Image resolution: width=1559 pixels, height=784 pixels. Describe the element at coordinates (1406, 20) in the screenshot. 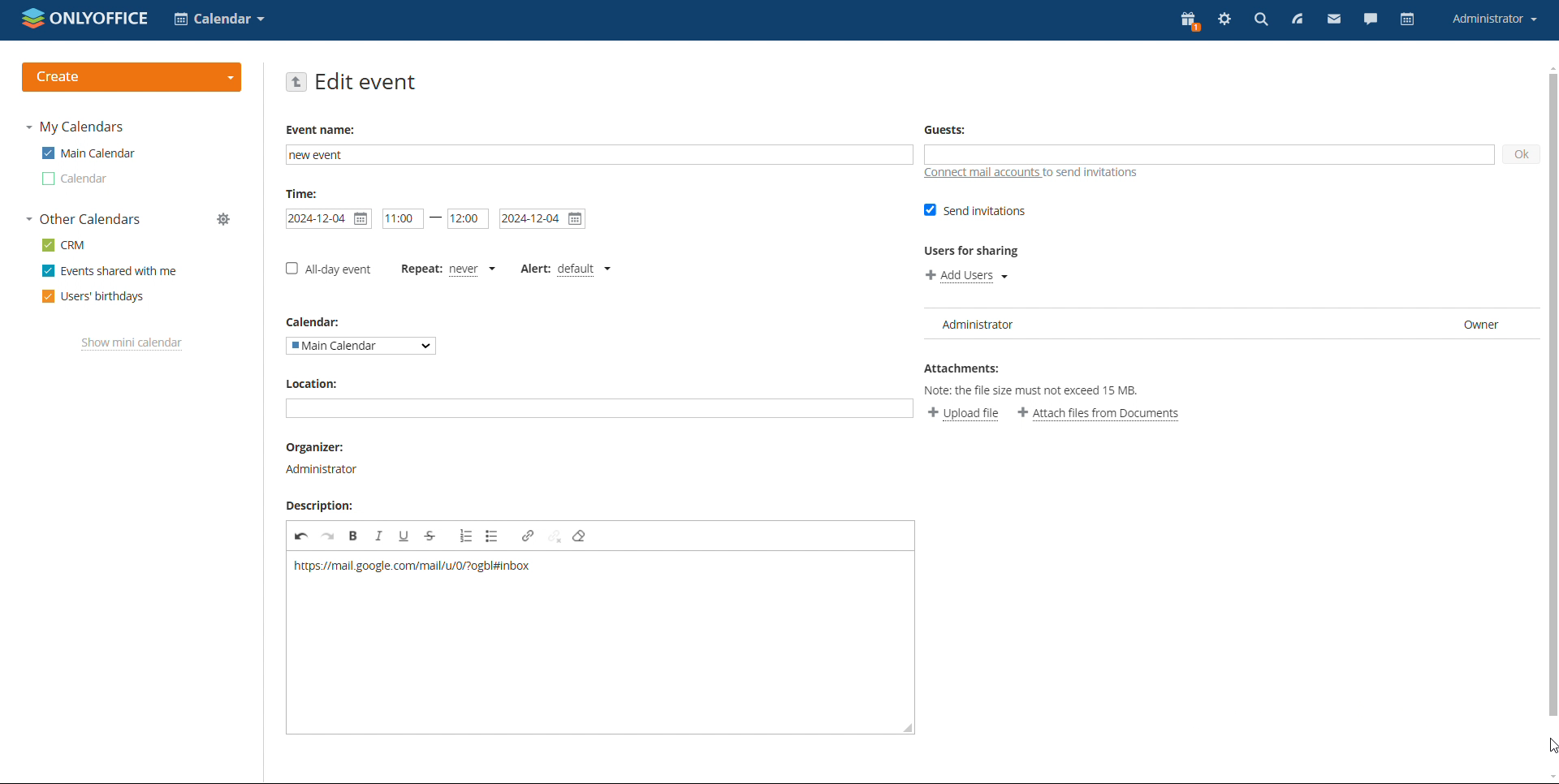

I see `calendar` at that location.